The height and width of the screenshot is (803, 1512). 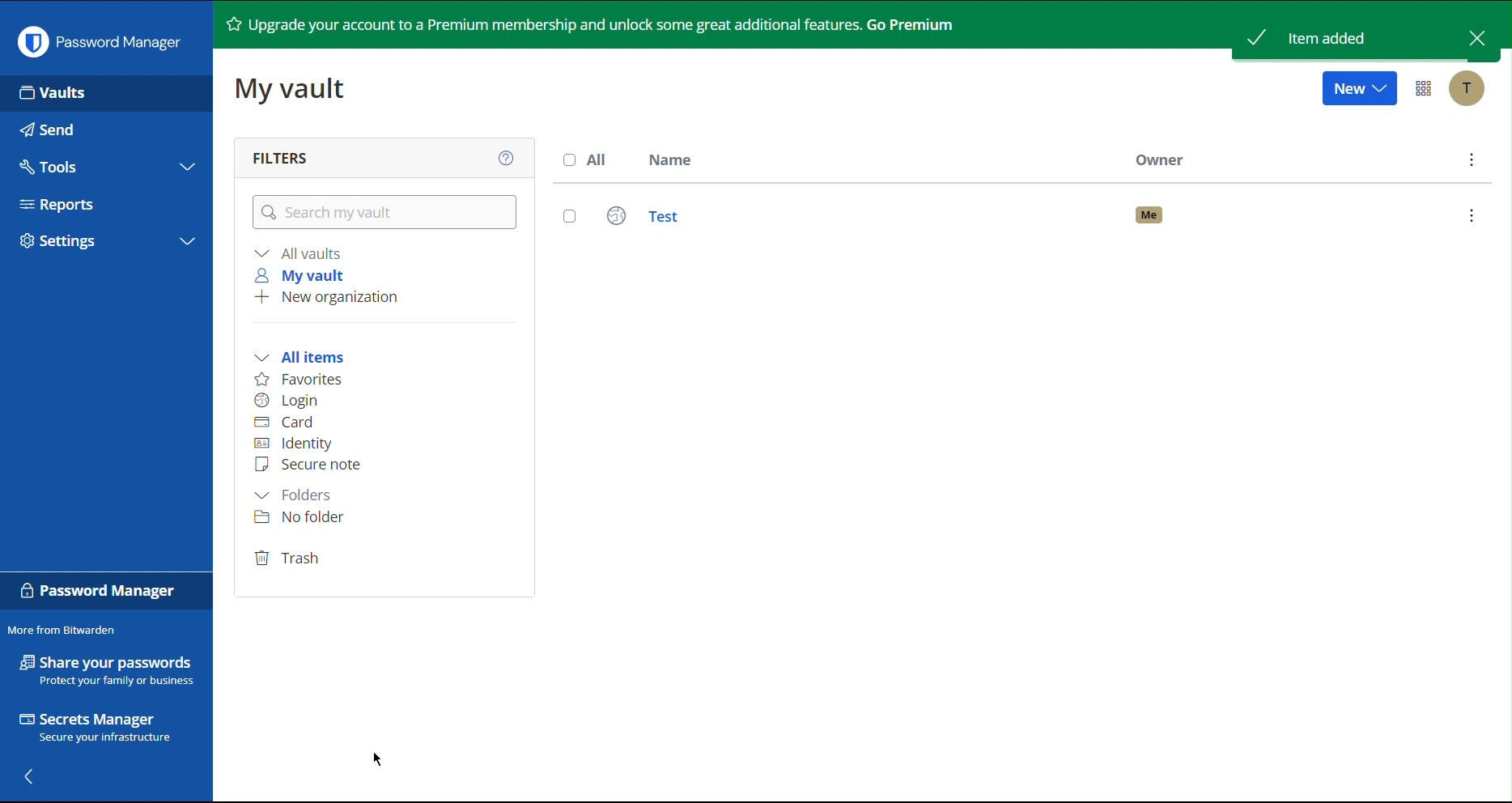 I want to click on Back, so click(x=30, y=780).